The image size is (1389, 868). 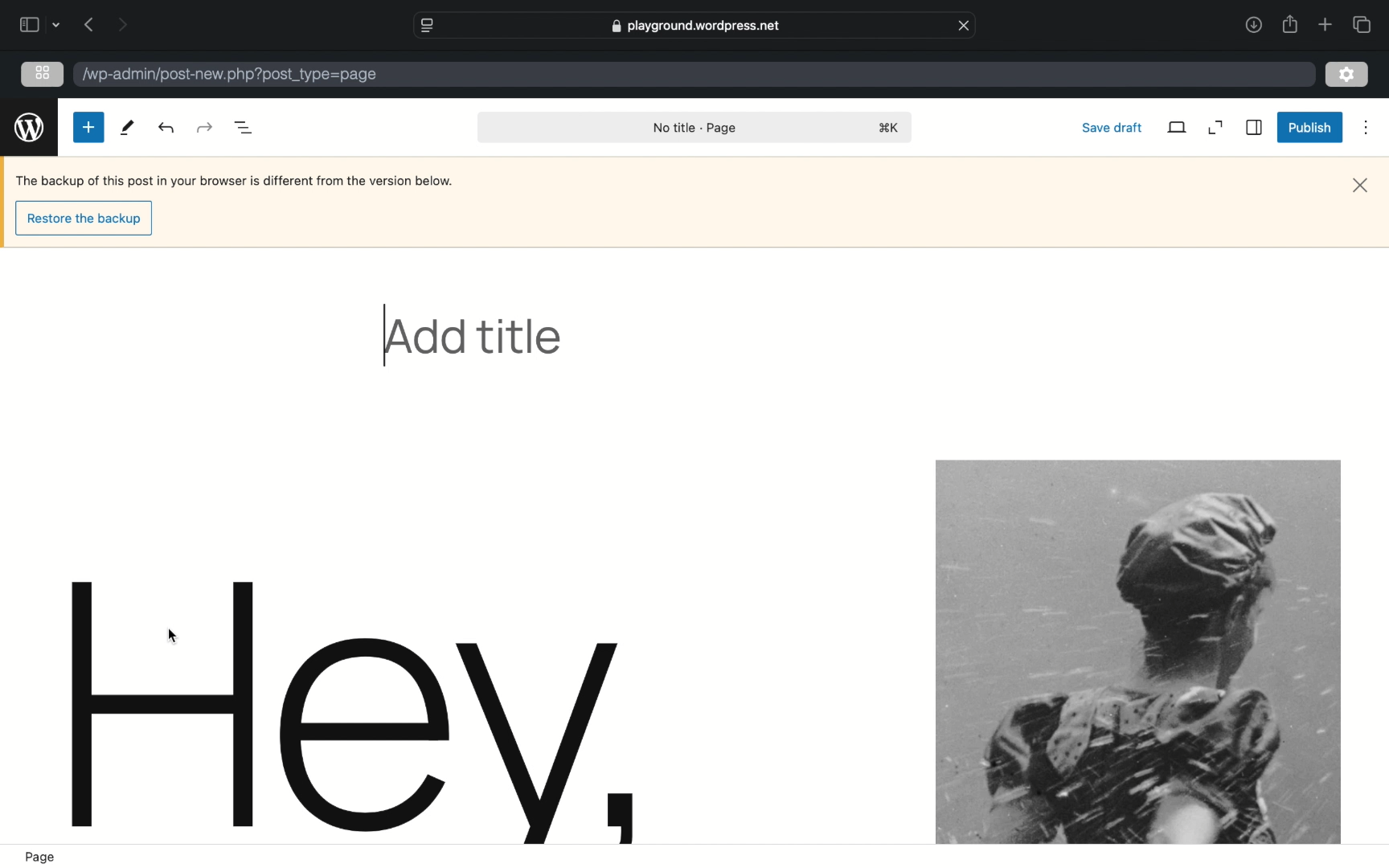 I want to click on wordpress, so click(x=29, y=128).